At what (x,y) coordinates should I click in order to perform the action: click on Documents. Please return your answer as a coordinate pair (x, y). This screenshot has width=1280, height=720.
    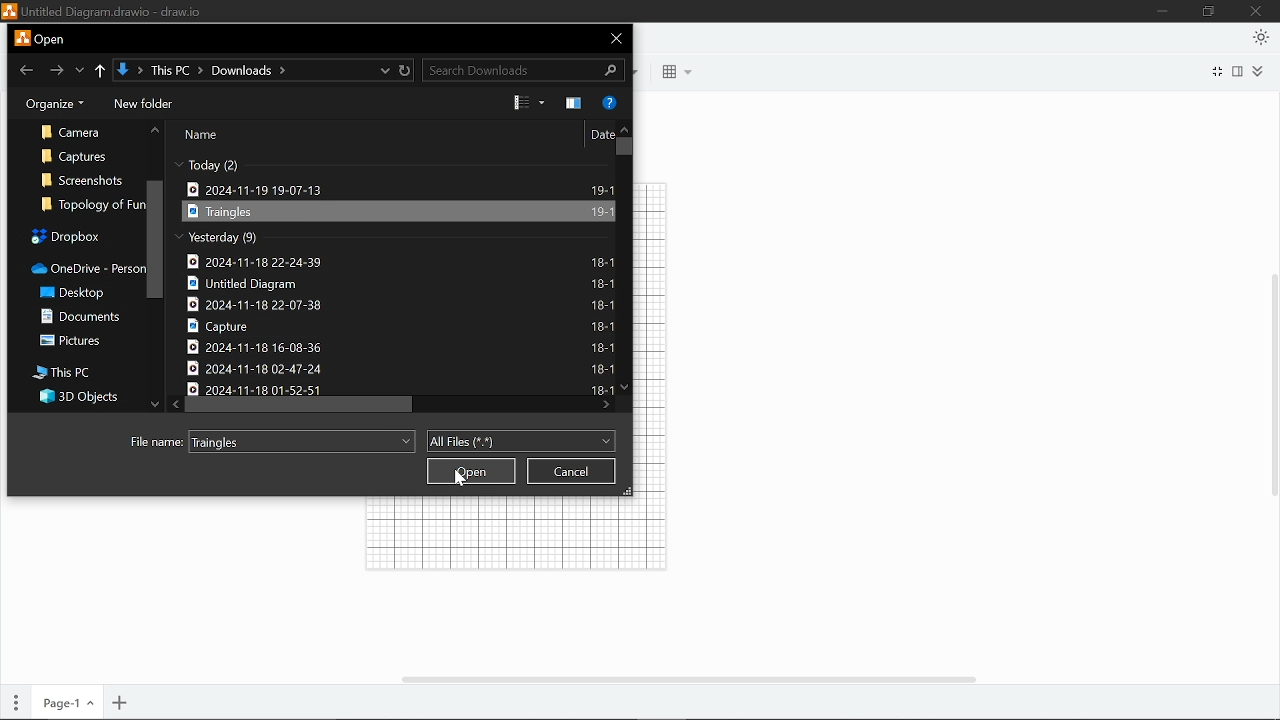
    Looking at the image, I should click on (85, 319).